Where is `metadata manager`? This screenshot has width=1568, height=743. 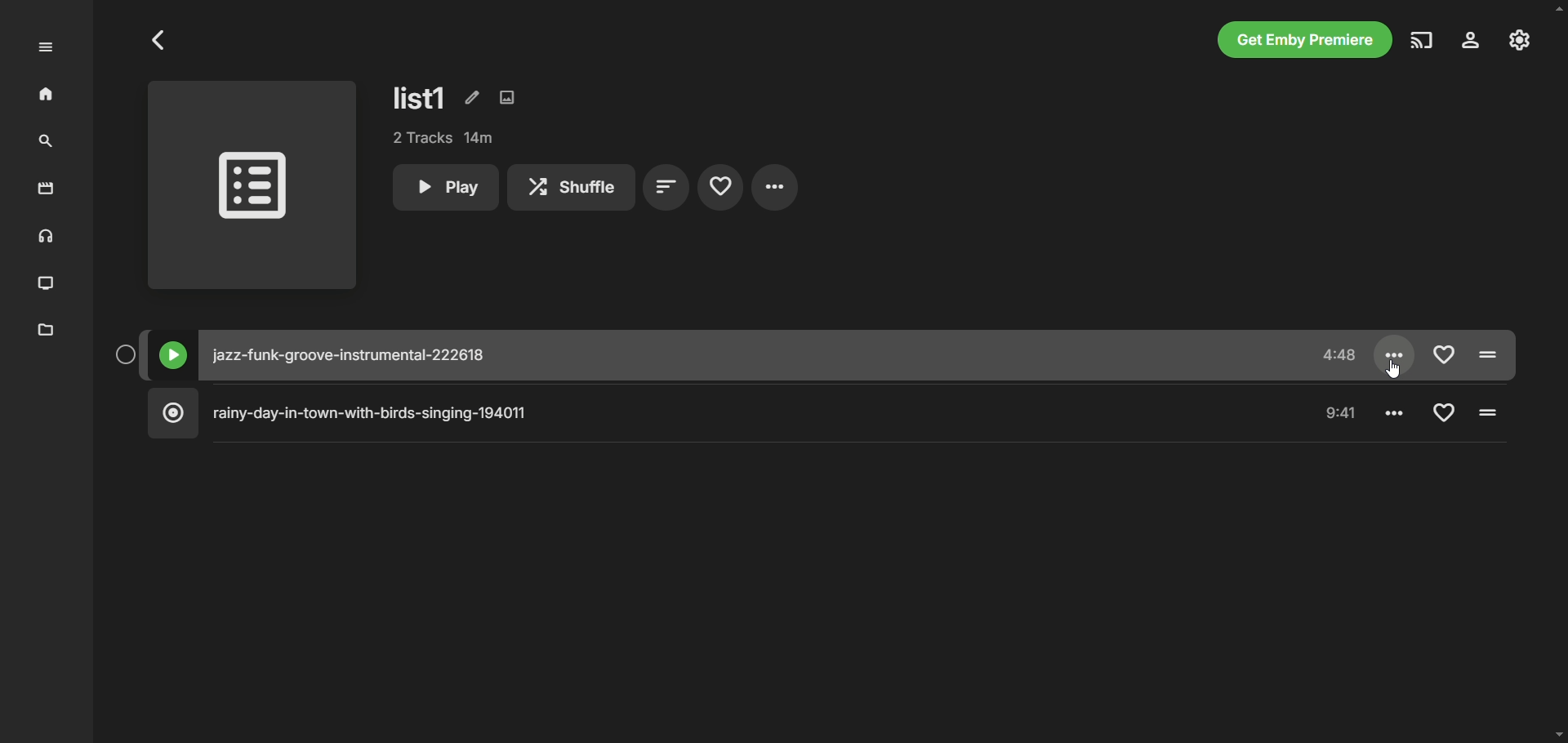
metadata manager is located at coordinates (47, 331).